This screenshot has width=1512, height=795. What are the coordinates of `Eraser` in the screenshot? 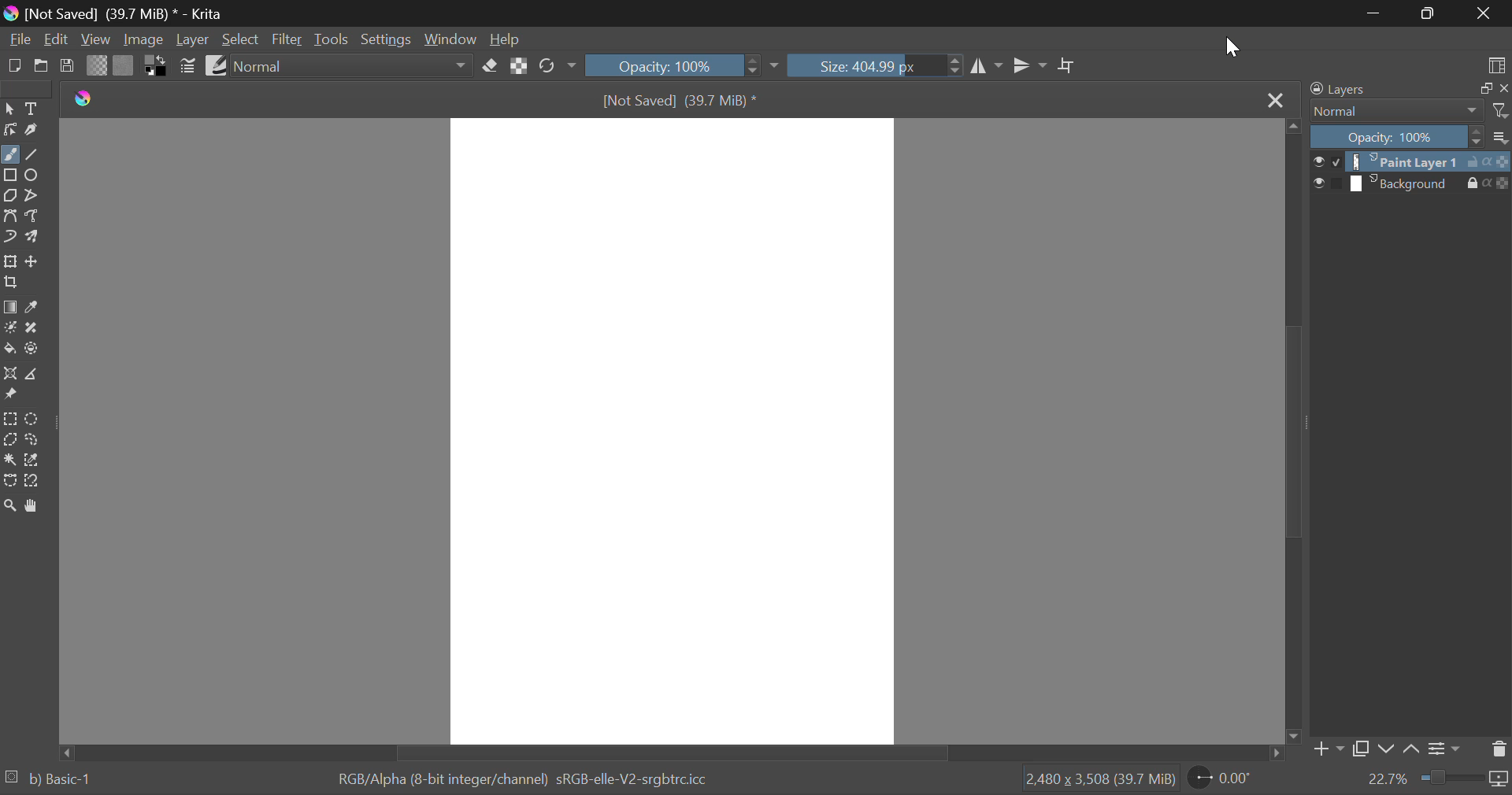 It's located at (490, 66).